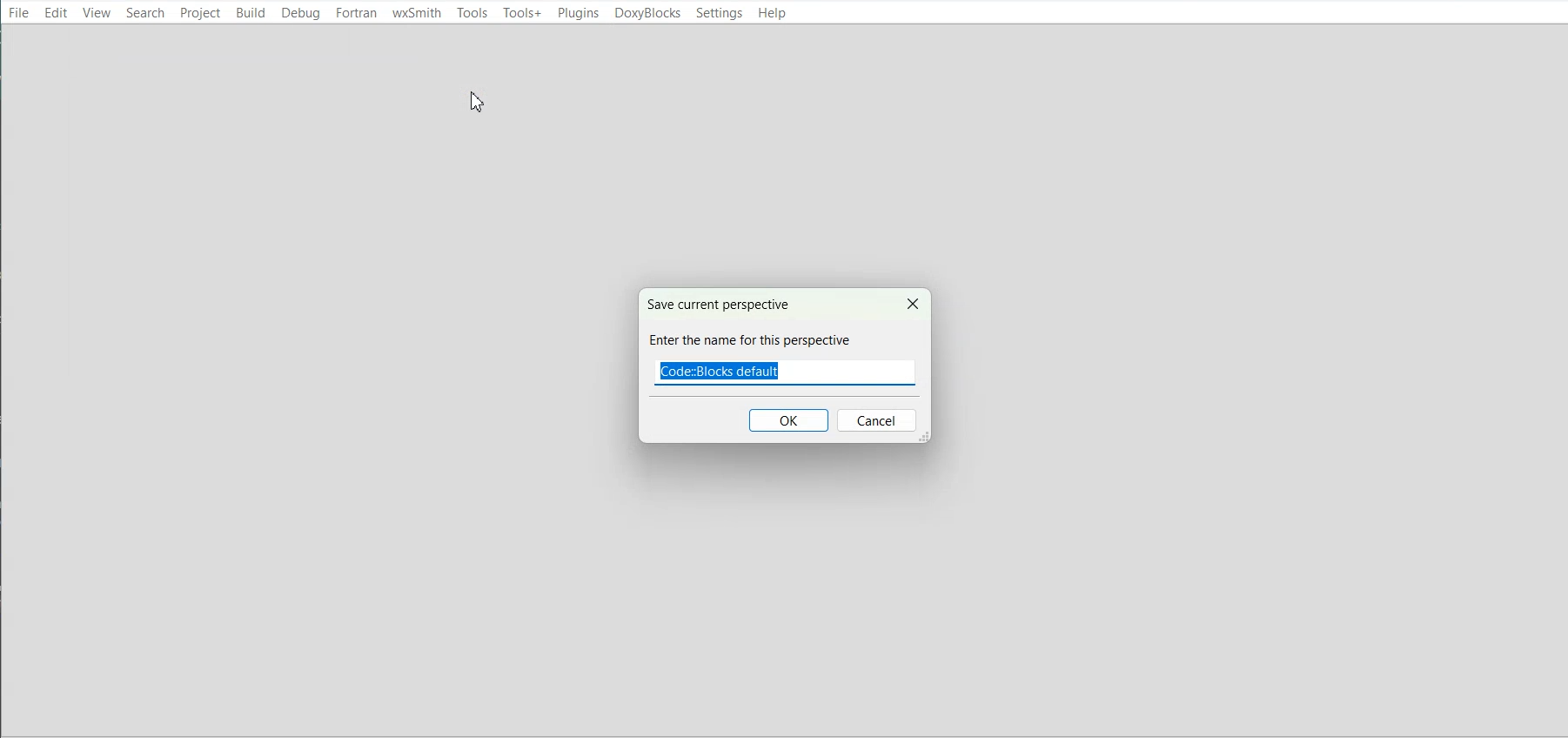 The image size is (1568, 738). Describe the element at coordinates (478, 100) in the screenshot. I see `Cursor` at that location.